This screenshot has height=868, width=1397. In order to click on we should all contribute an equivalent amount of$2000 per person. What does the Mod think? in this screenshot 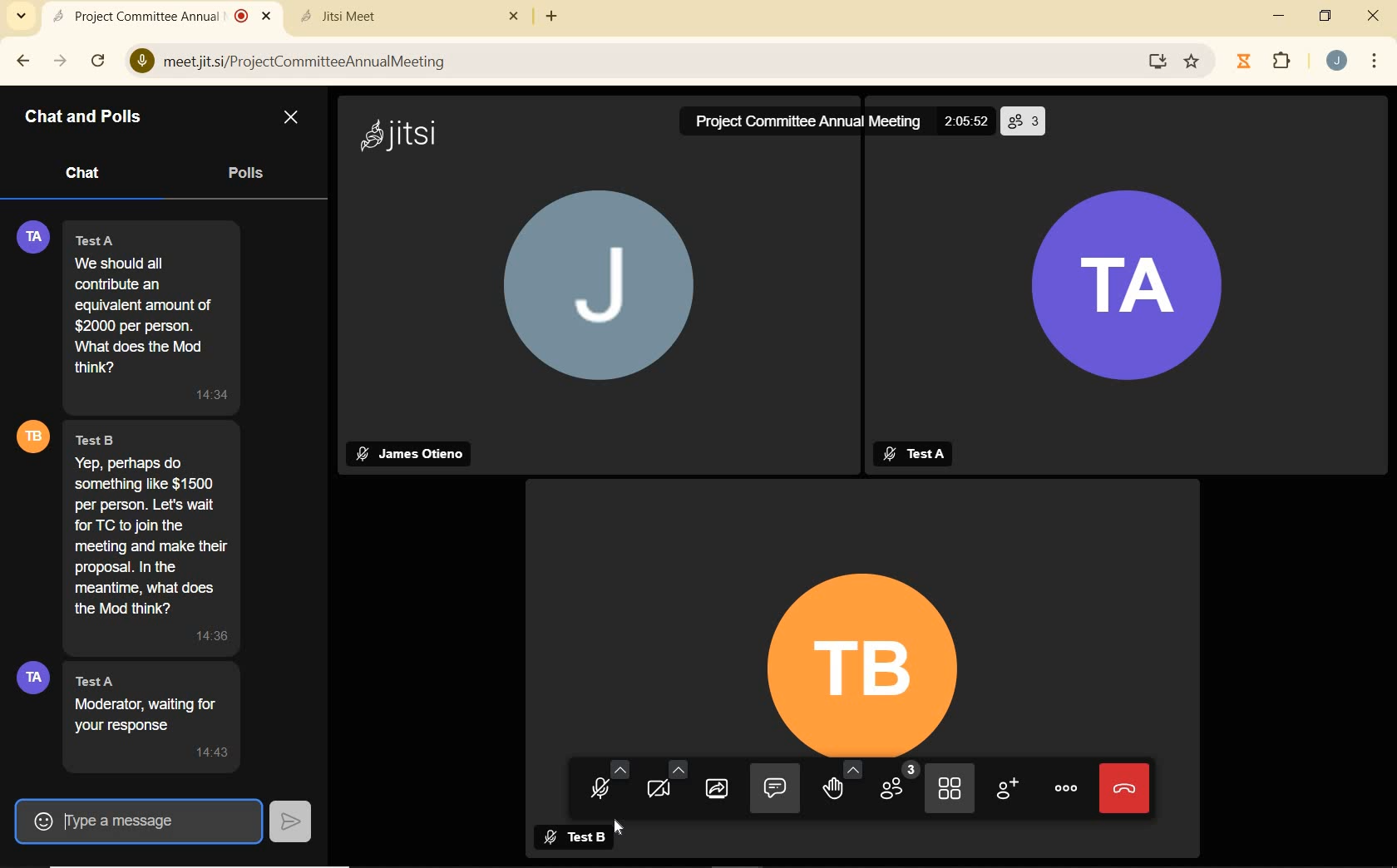, I will do `click(149, 315)`.